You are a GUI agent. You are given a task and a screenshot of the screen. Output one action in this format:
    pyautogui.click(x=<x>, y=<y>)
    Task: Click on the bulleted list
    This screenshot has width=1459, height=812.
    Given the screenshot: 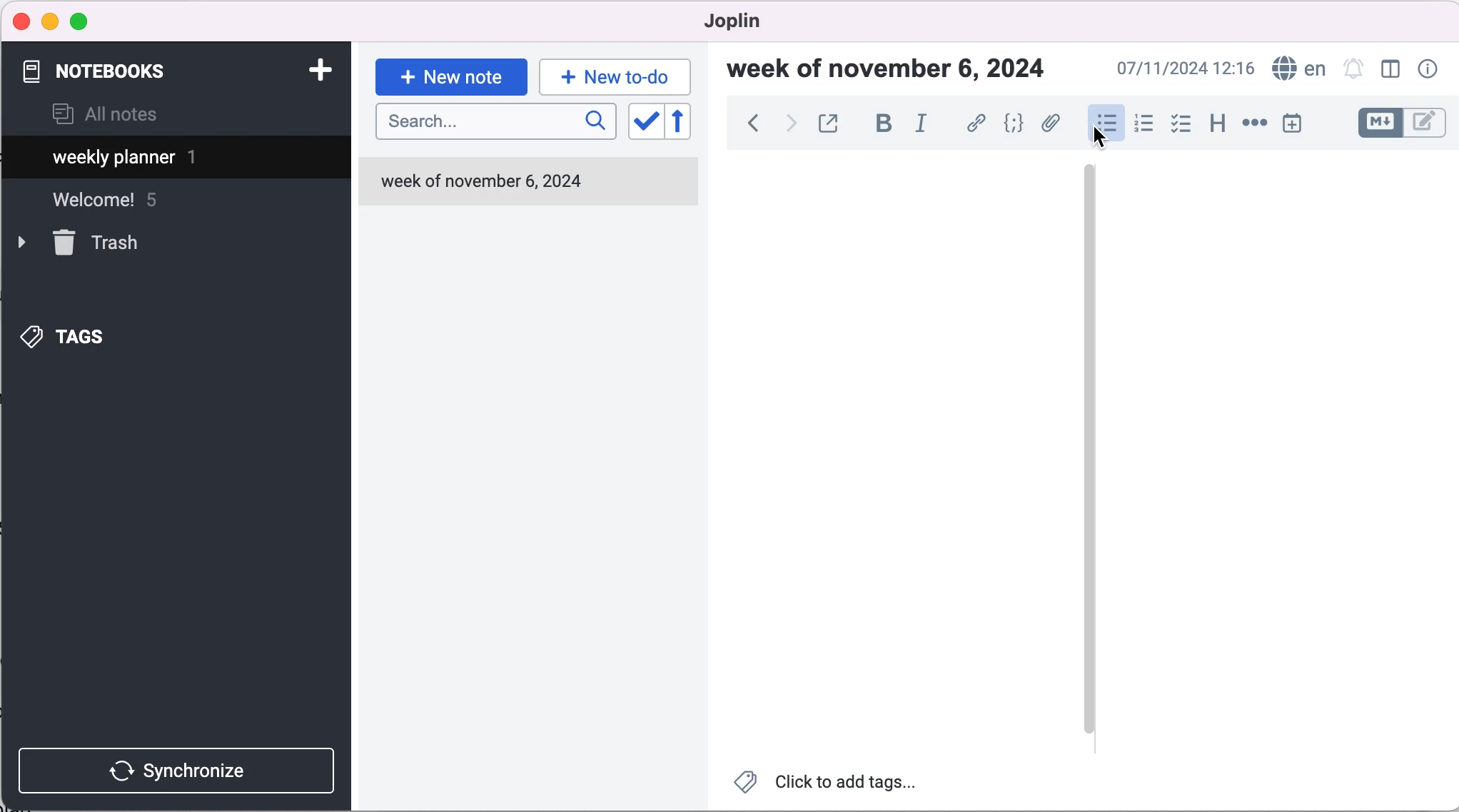 What is the action you would take?
    pyautogui.click(x=1104, y=124)
    